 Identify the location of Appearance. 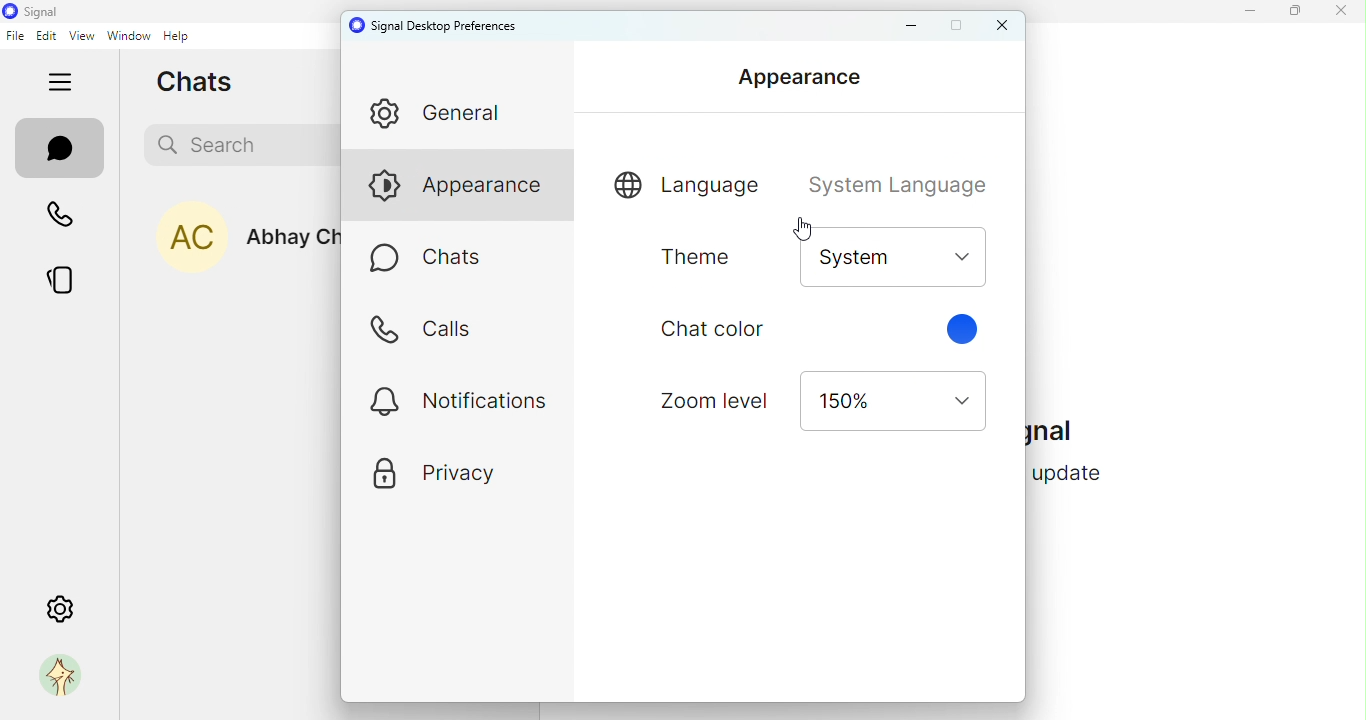
(795, 73).